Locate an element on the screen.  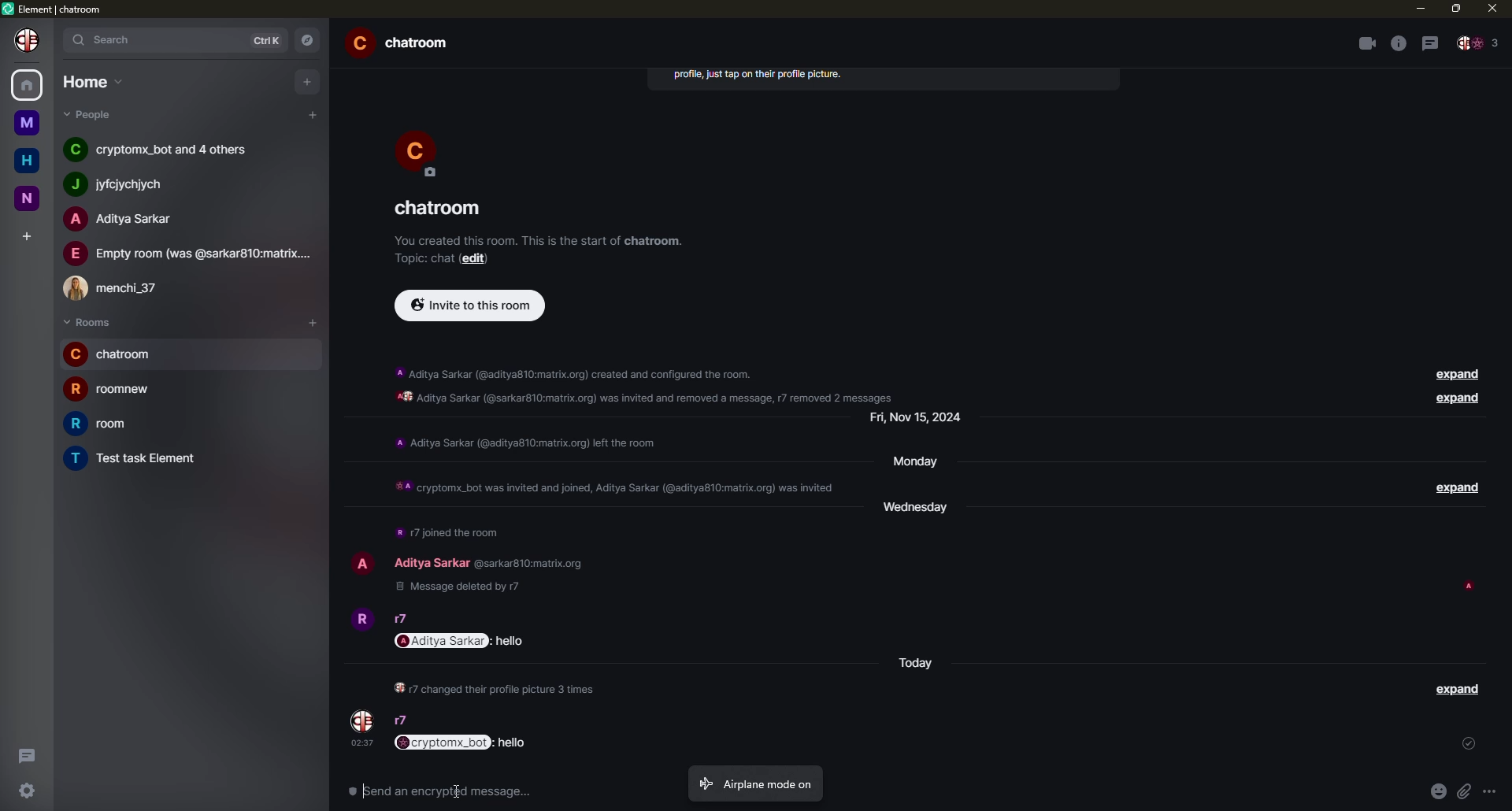
profile is located at coordinates (26, 41).